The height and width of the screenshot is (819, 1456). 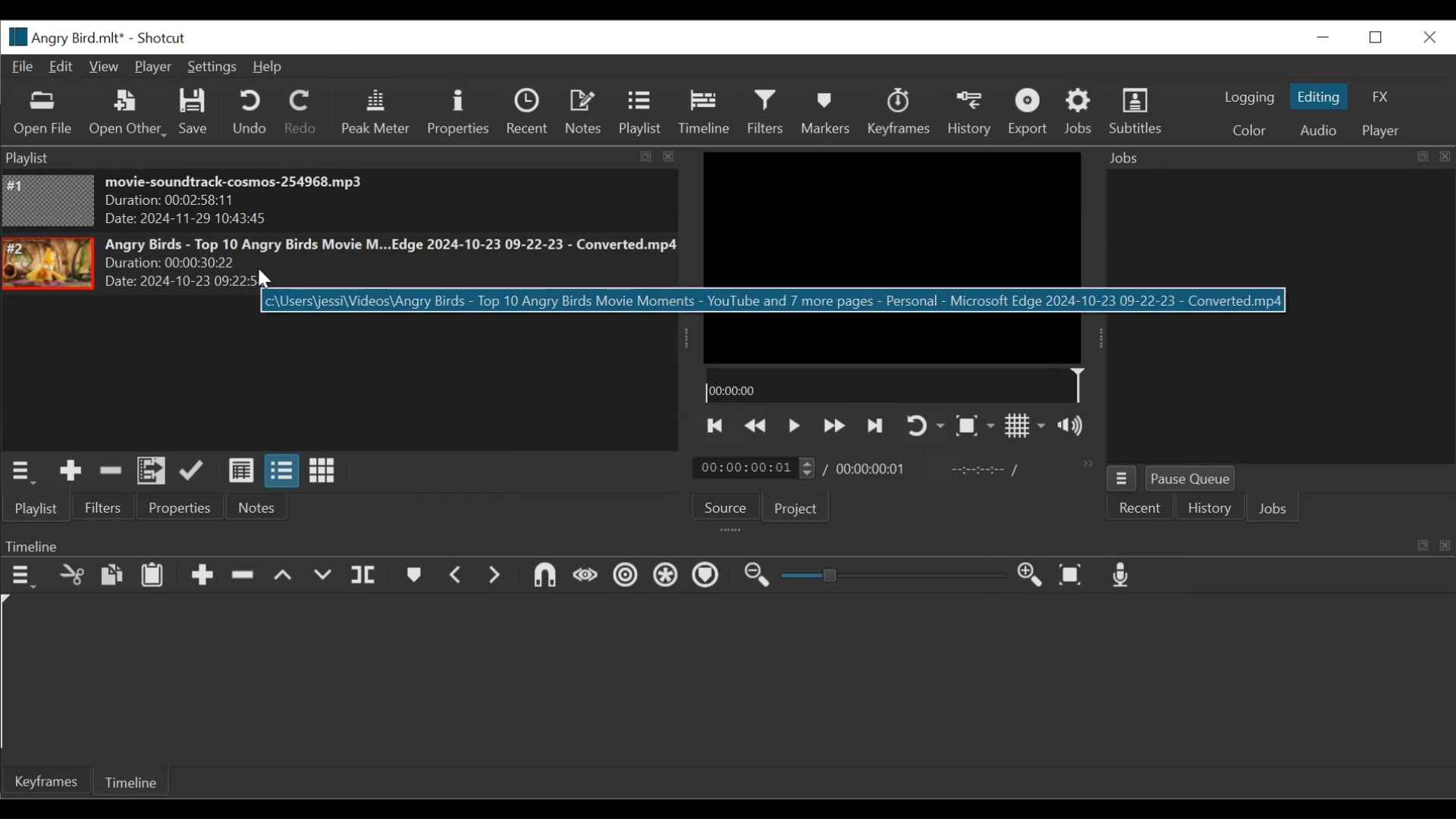 What do you see at coordinates (1026, 427) in the screenshot?
I see `Toggle display grid on the player` at bounding box center [1026, 427].